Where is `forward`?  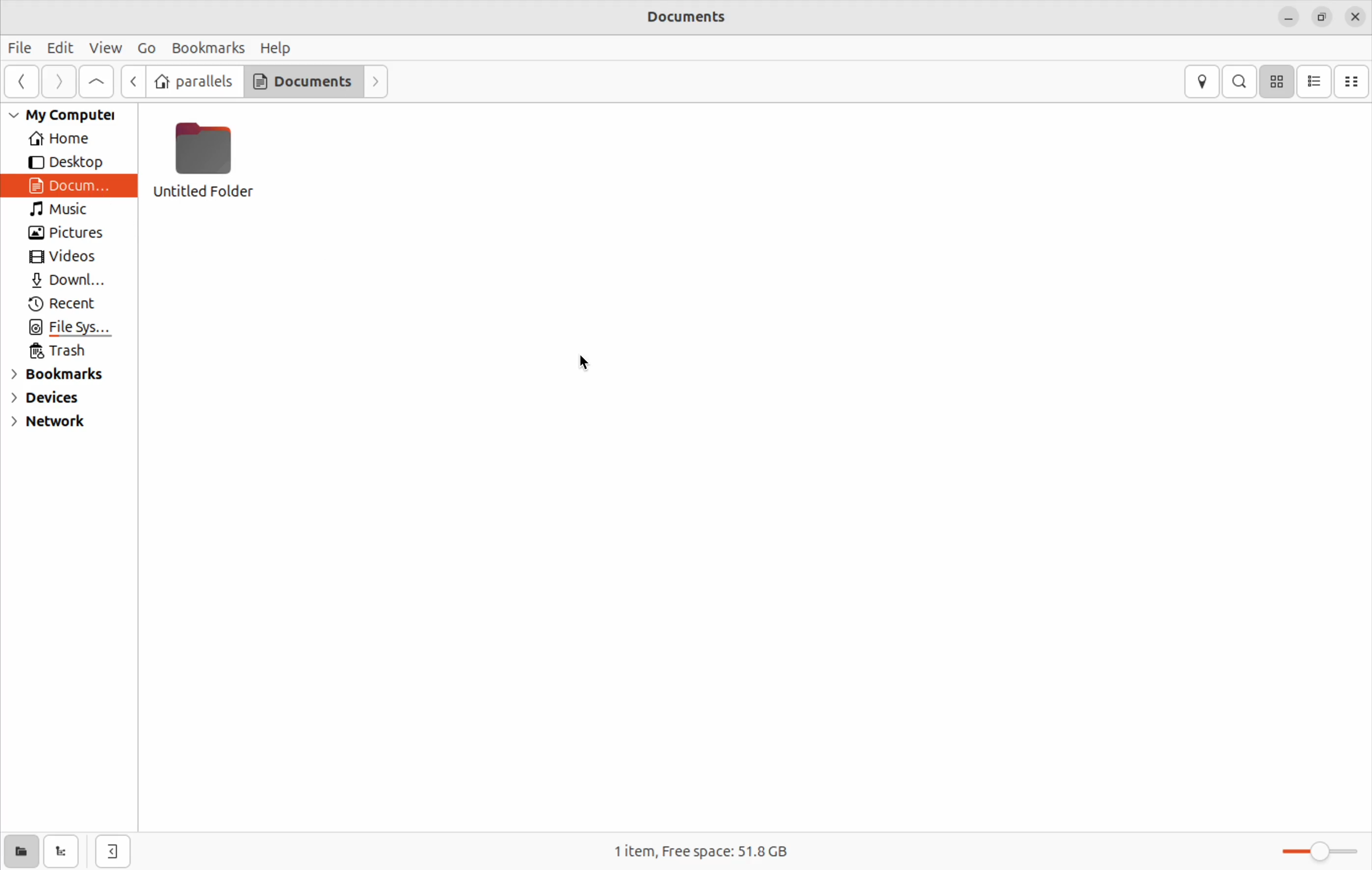
forward is located at coordinates (58, 81).